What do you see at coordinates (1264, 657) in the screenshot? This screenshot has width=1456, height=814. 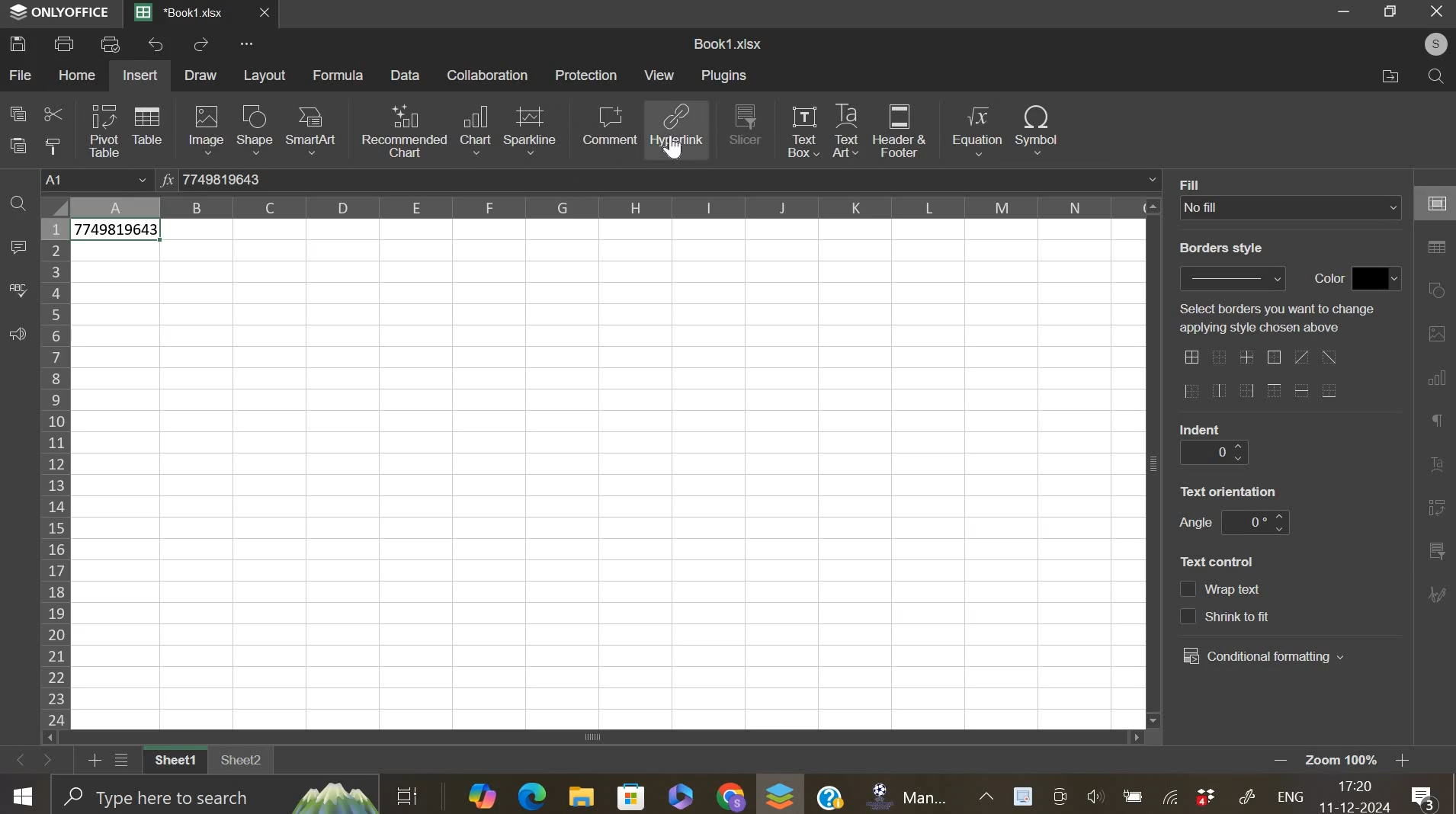 I see `conditional formatting` at bounding box center [1264, 657].